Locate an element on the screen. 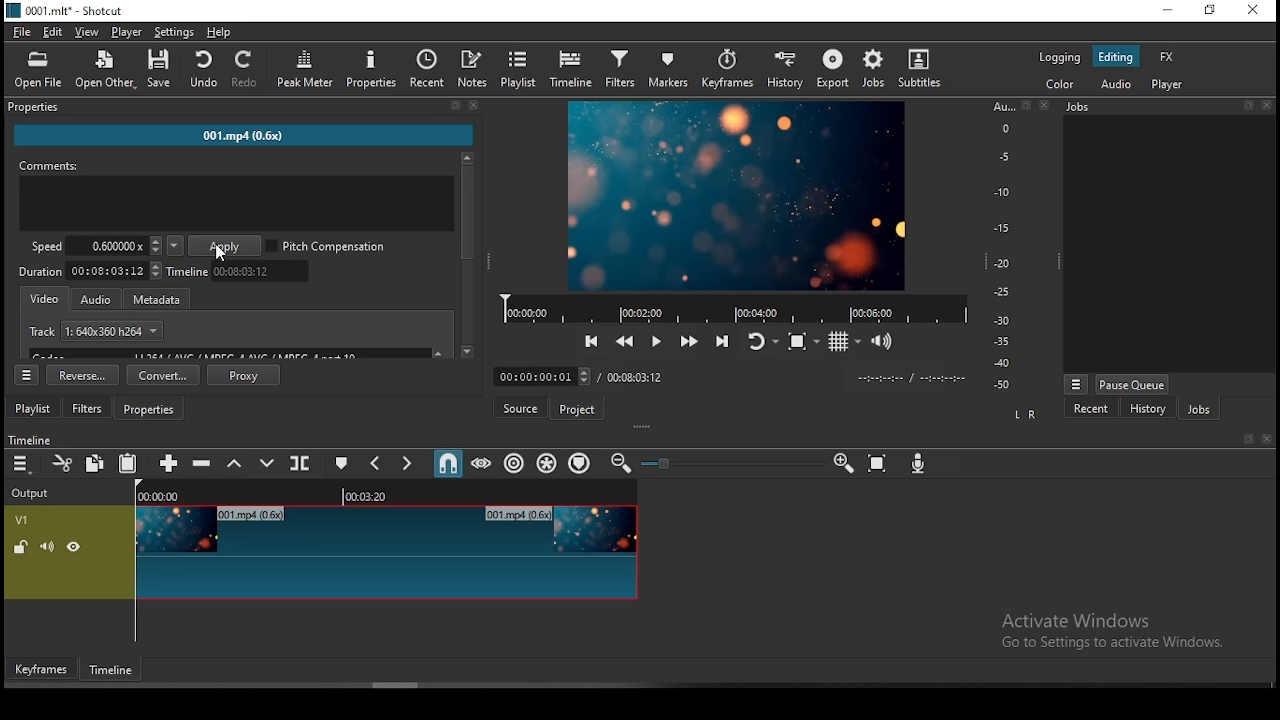  skip to next point is located at coordinates (725, 339).